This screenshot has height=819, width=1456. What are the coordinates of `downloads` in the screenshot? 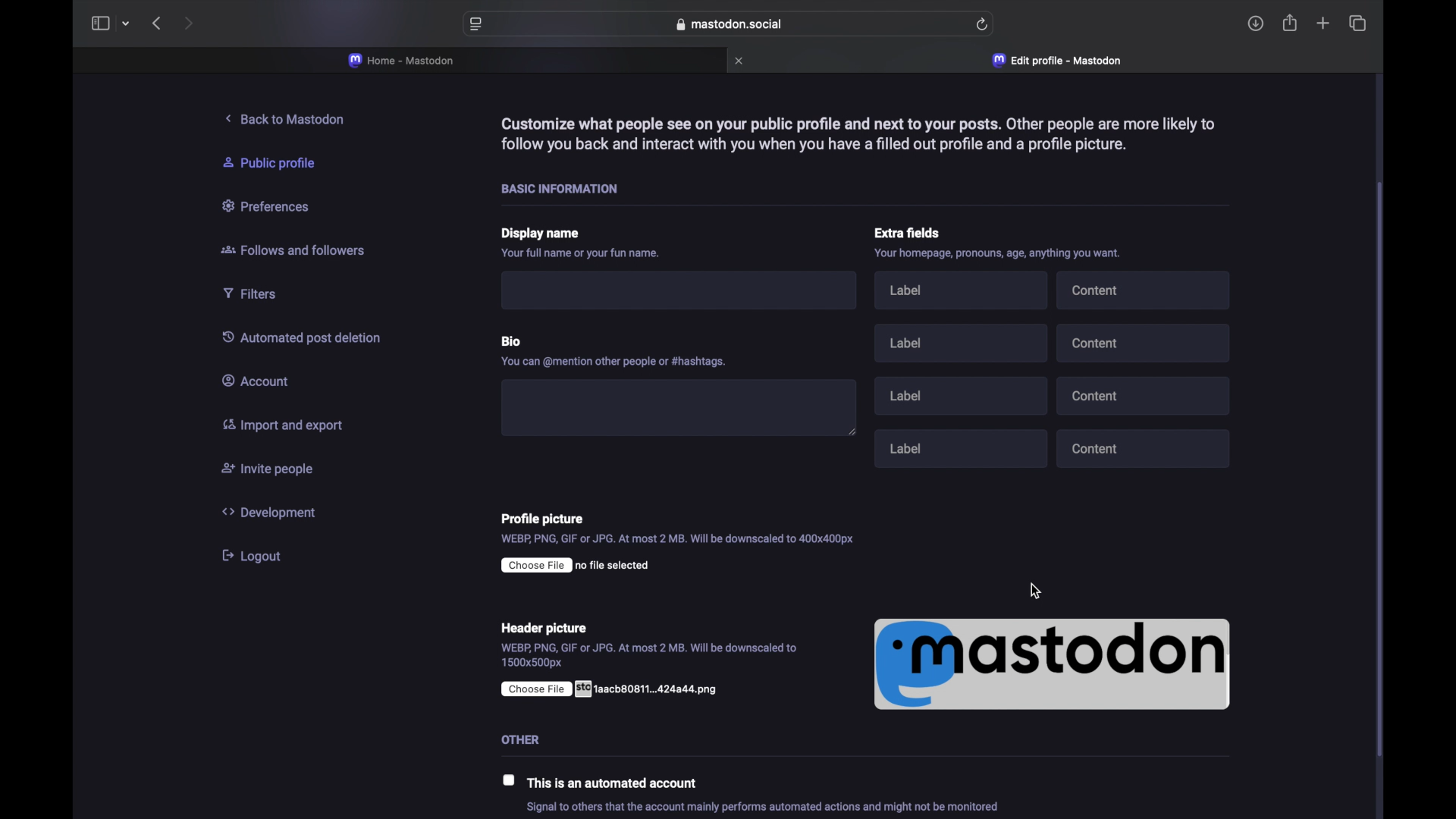 It's located at (1256, 24).